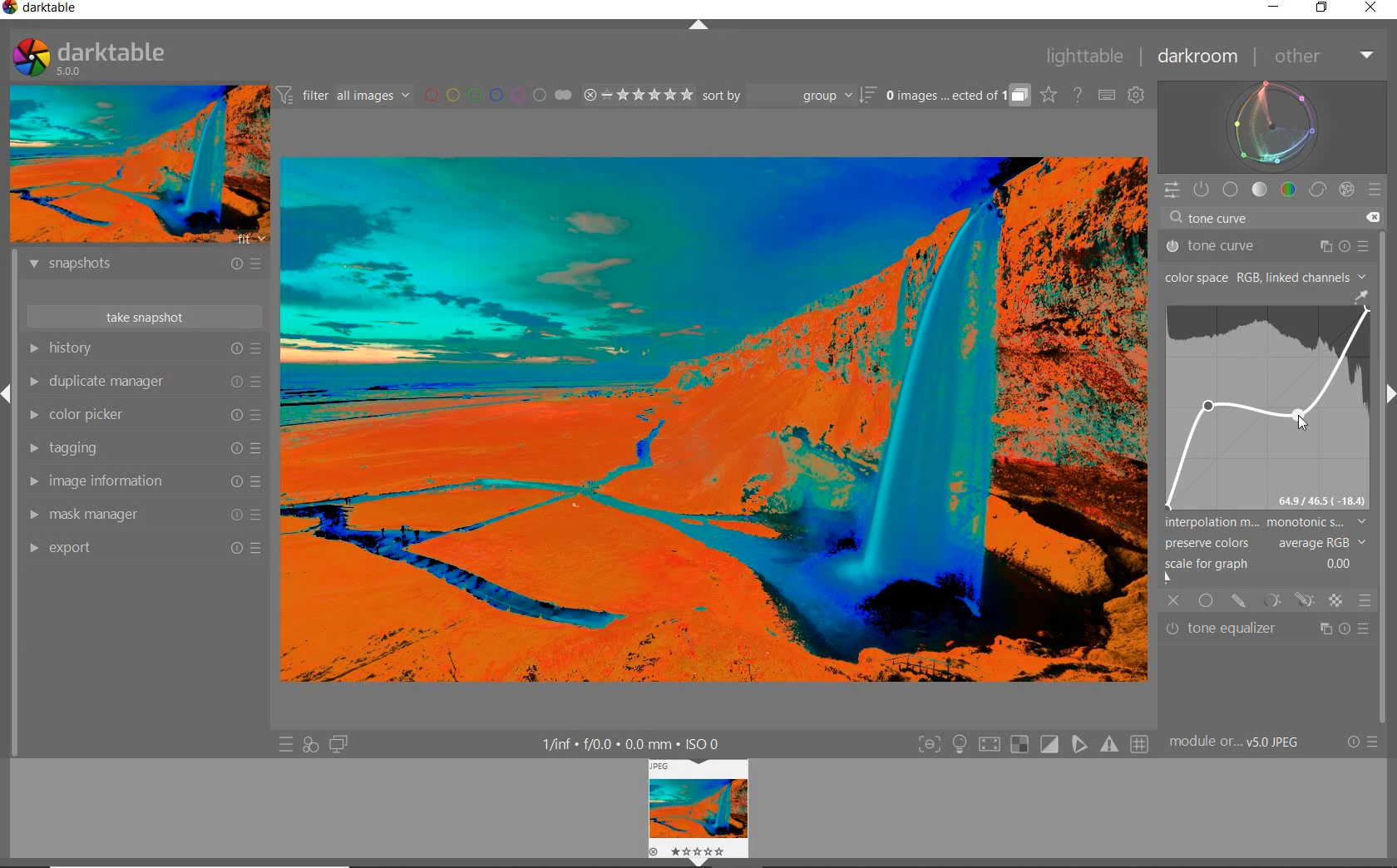  Describe the element at coordinates (1172, 190) in the screenshot. I see `QUICK ACCESS PANEL` at that location.